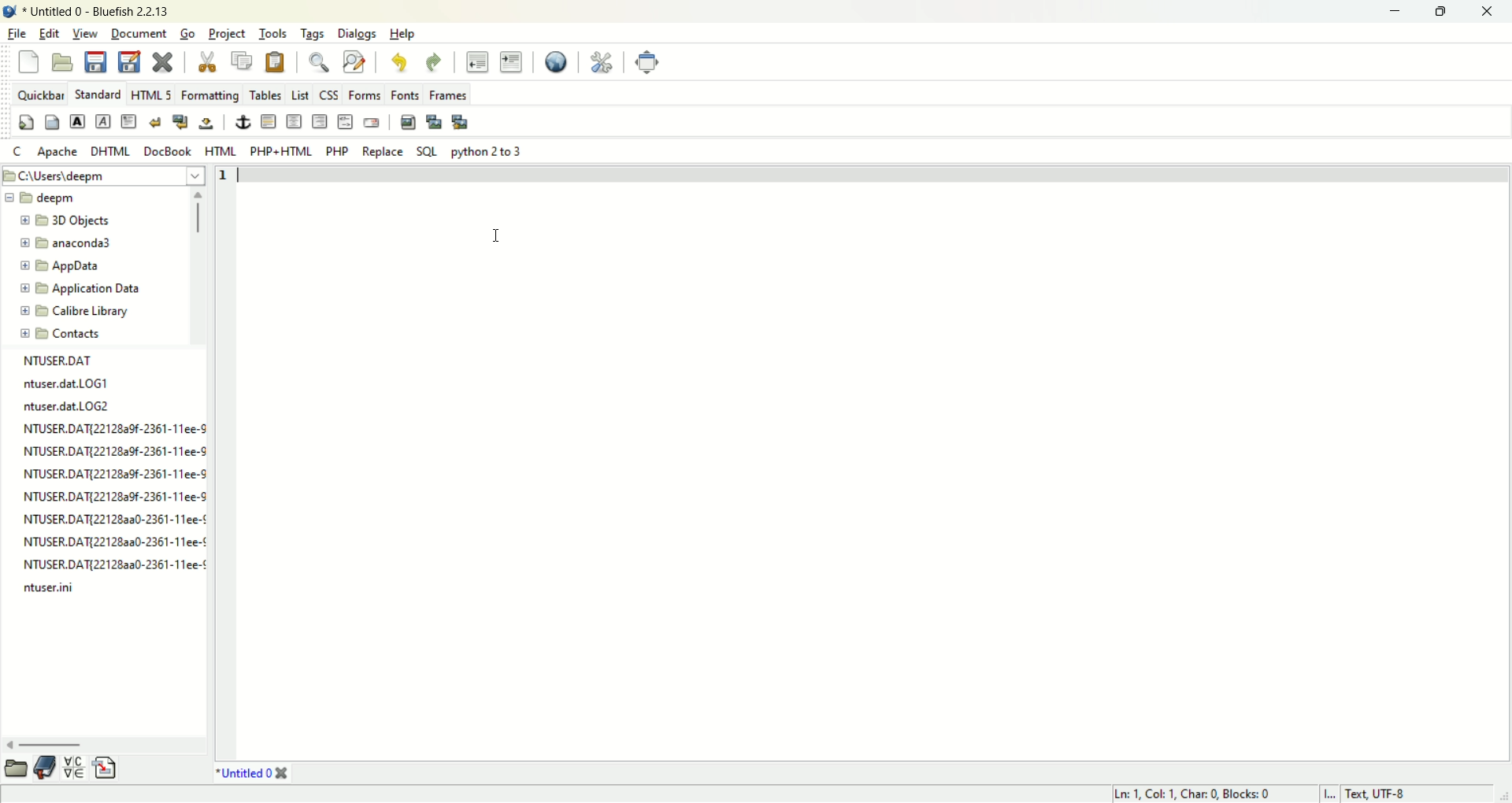  What do you see at coordinates (113, 518) in the screenshot?
I see `NTUSER.DAT{221282a0-2361-11ee-¢` at bounding box center [113, 518].